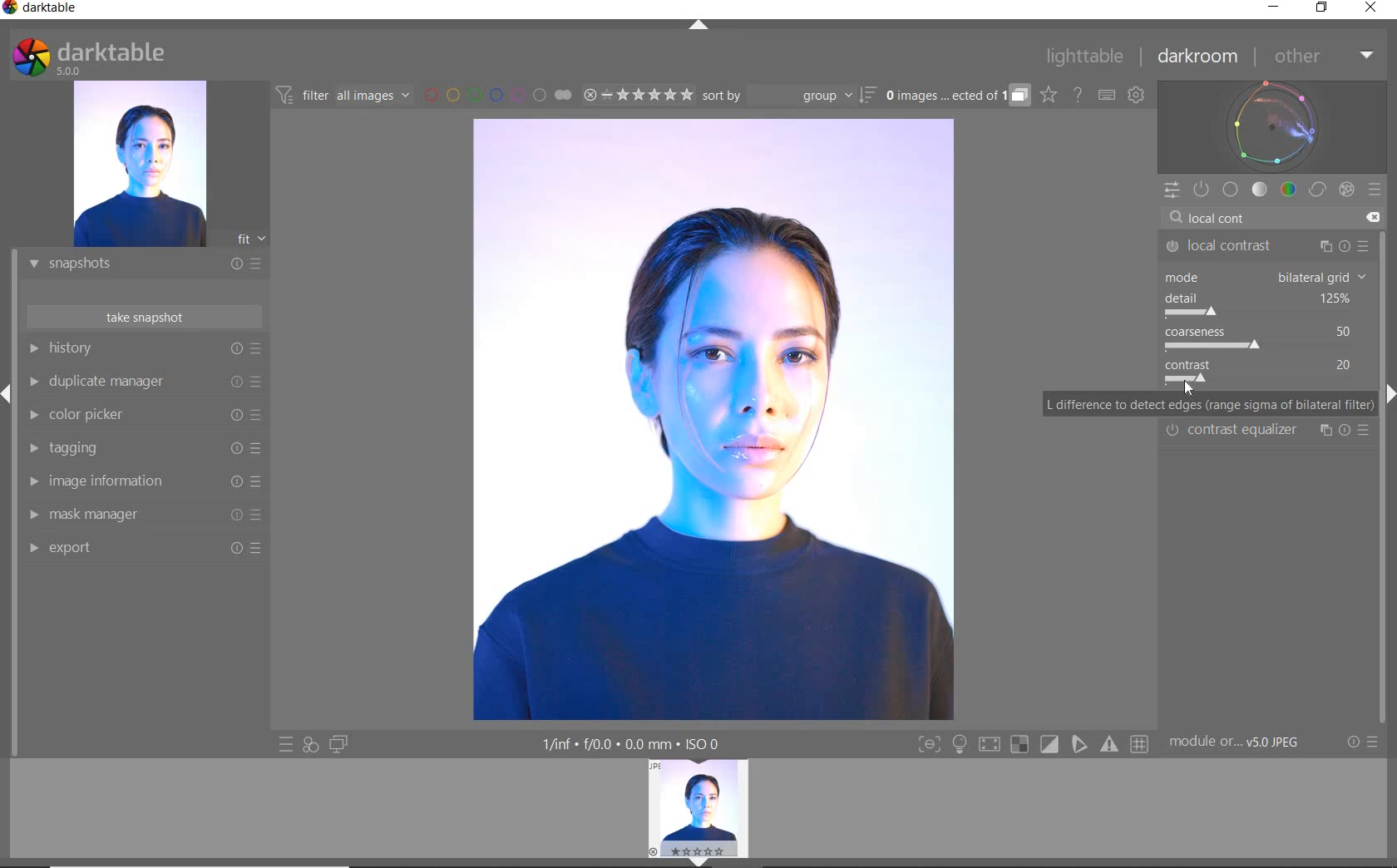  I want to click on FILTER BY IMAGE COLOR LABEL, so click(498, 94).